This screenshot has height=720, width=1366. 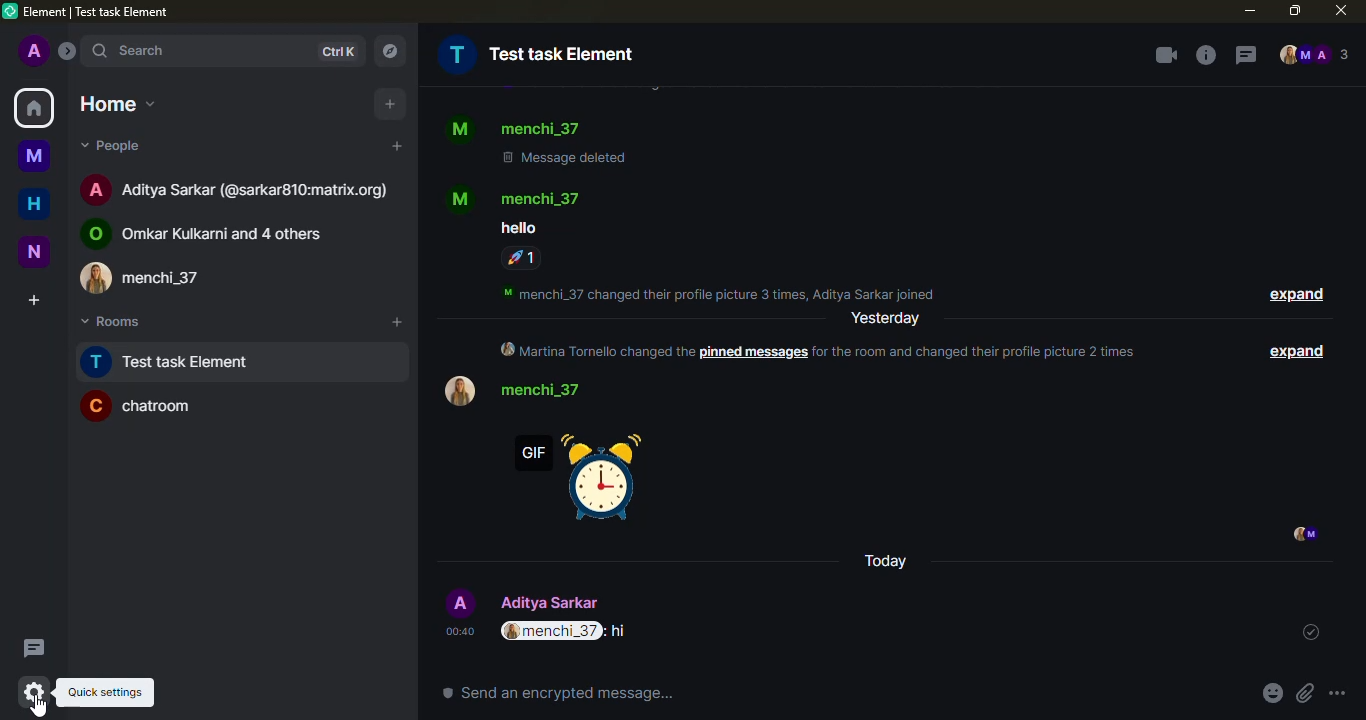 What do you see at coordinates (520, 258) in the screenshot?
I see `reactions` at bounding box center [520, 258].